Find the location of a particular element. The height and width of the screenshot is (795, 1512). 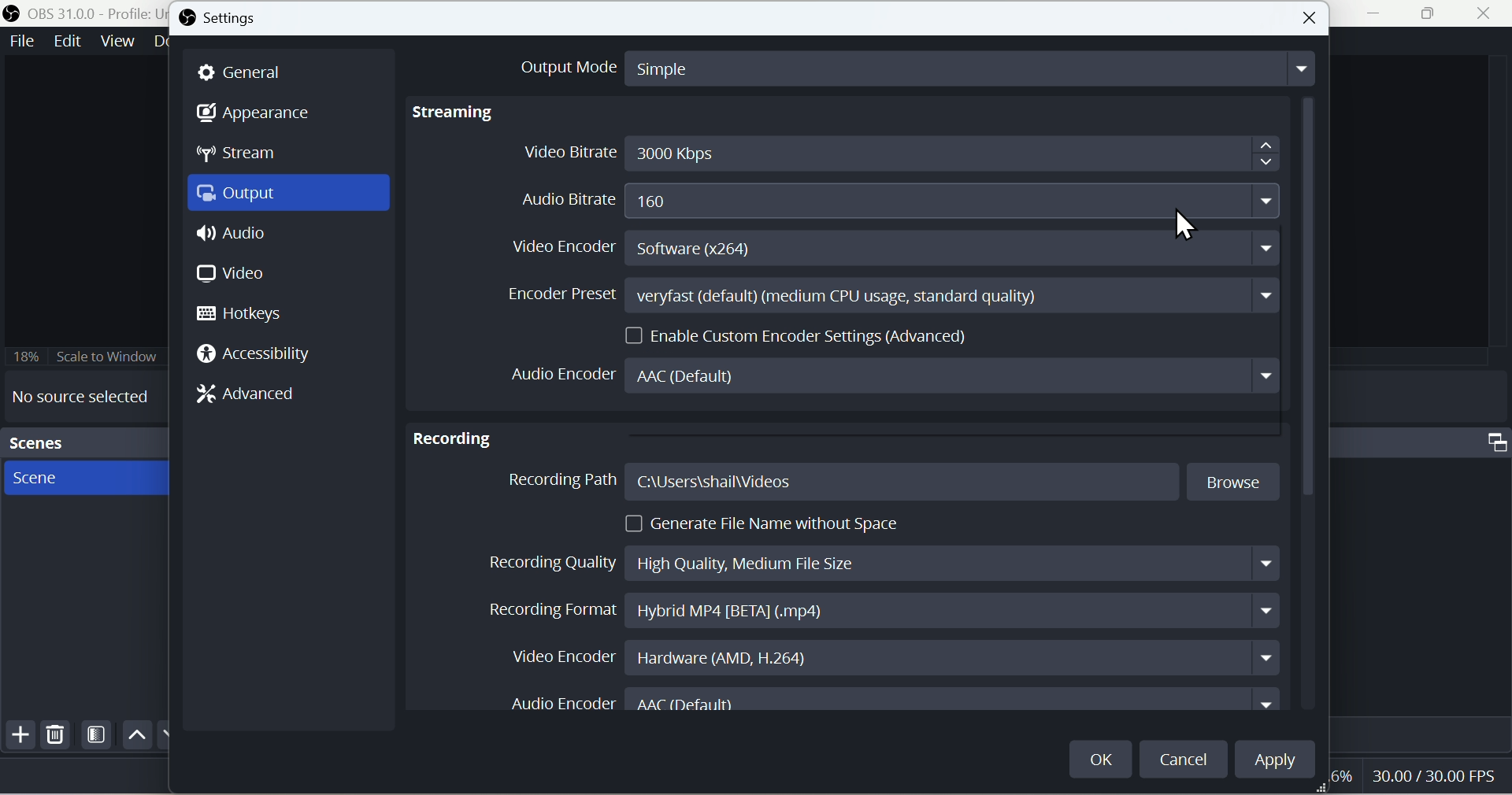

Filter is located at coordinates (97, 738).